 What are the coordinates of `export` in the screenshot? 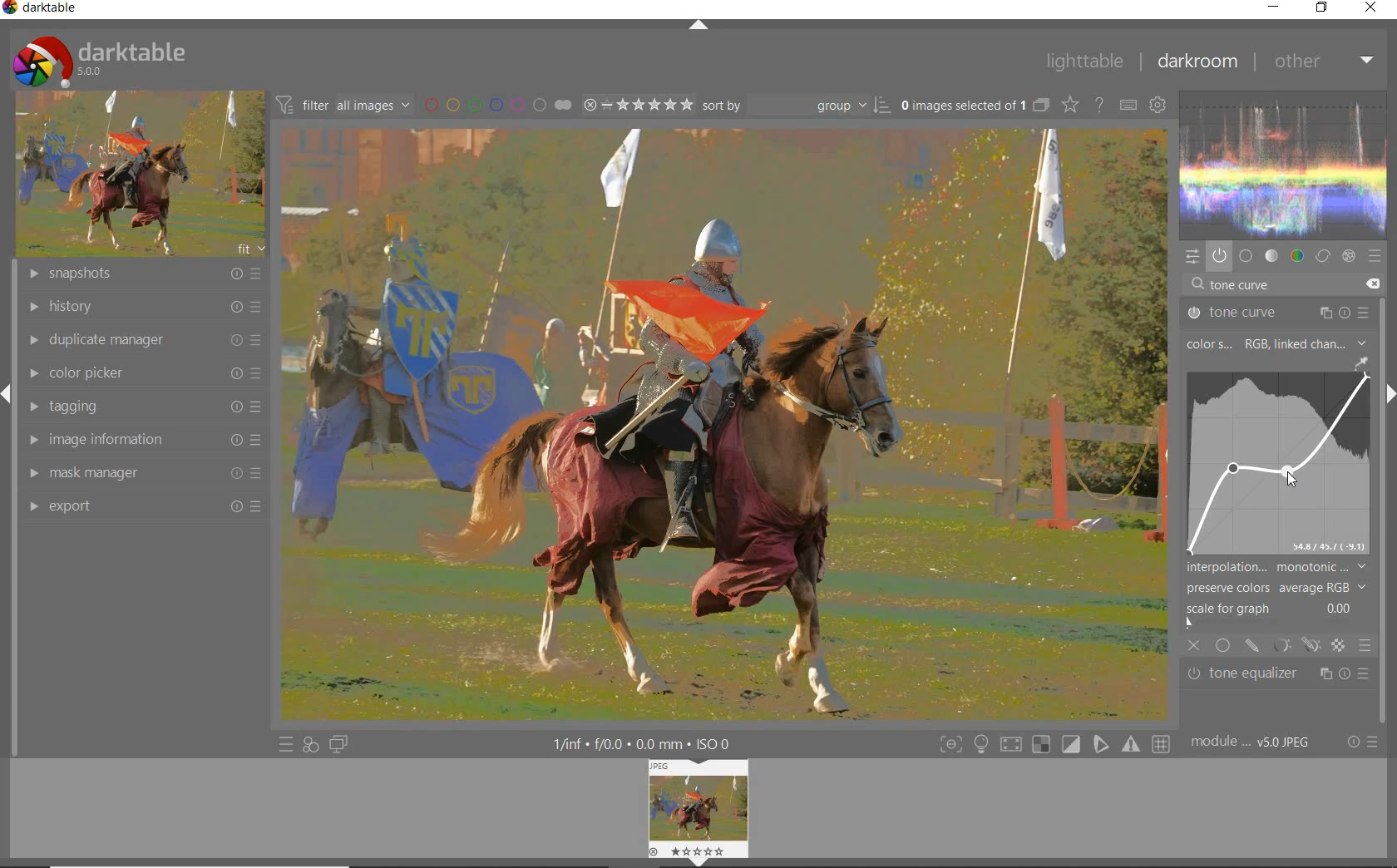 It's located at (141, 506).